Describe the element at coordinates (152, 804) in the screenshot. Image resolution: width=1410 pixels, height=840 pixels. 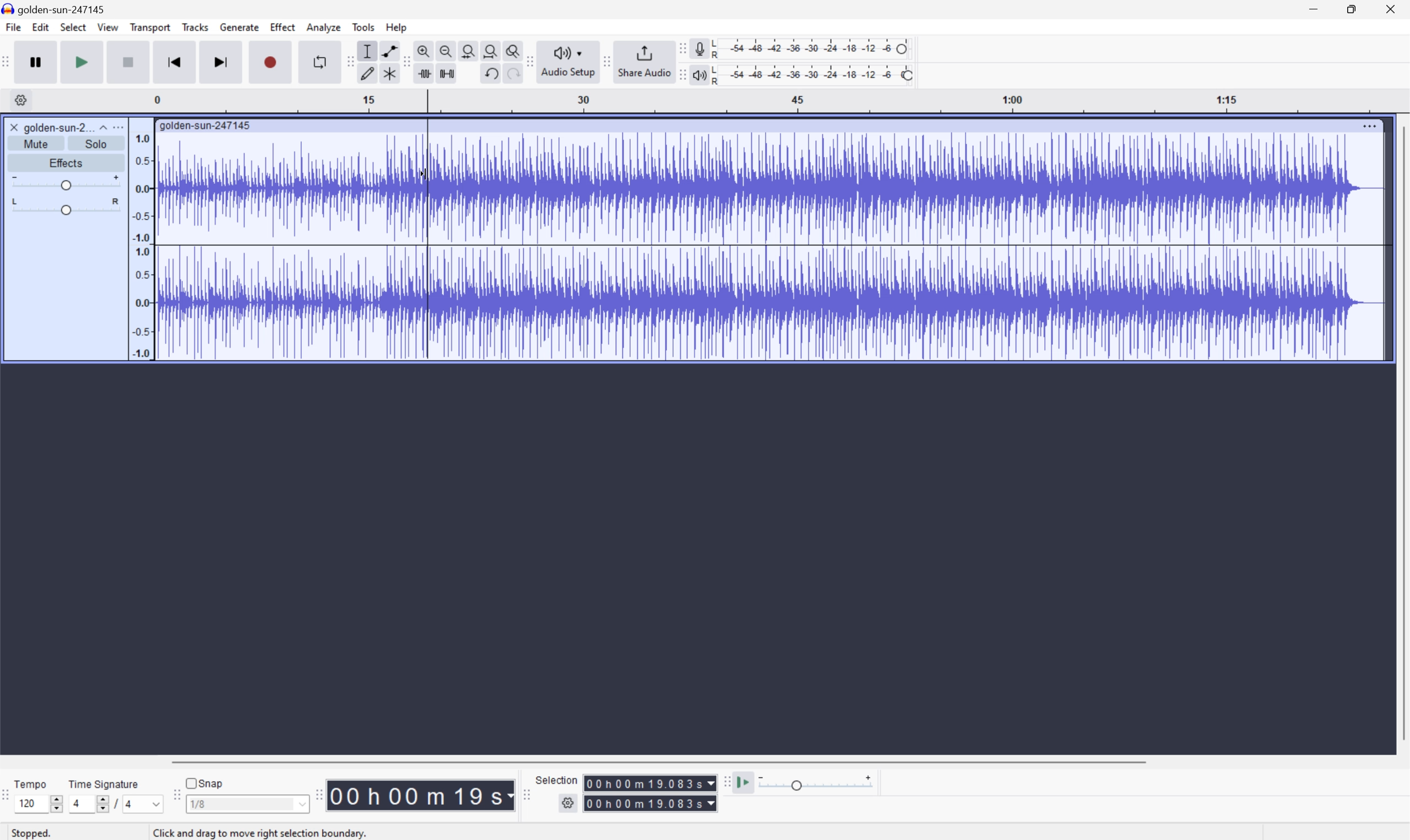
I see `Drop Down` at that location.